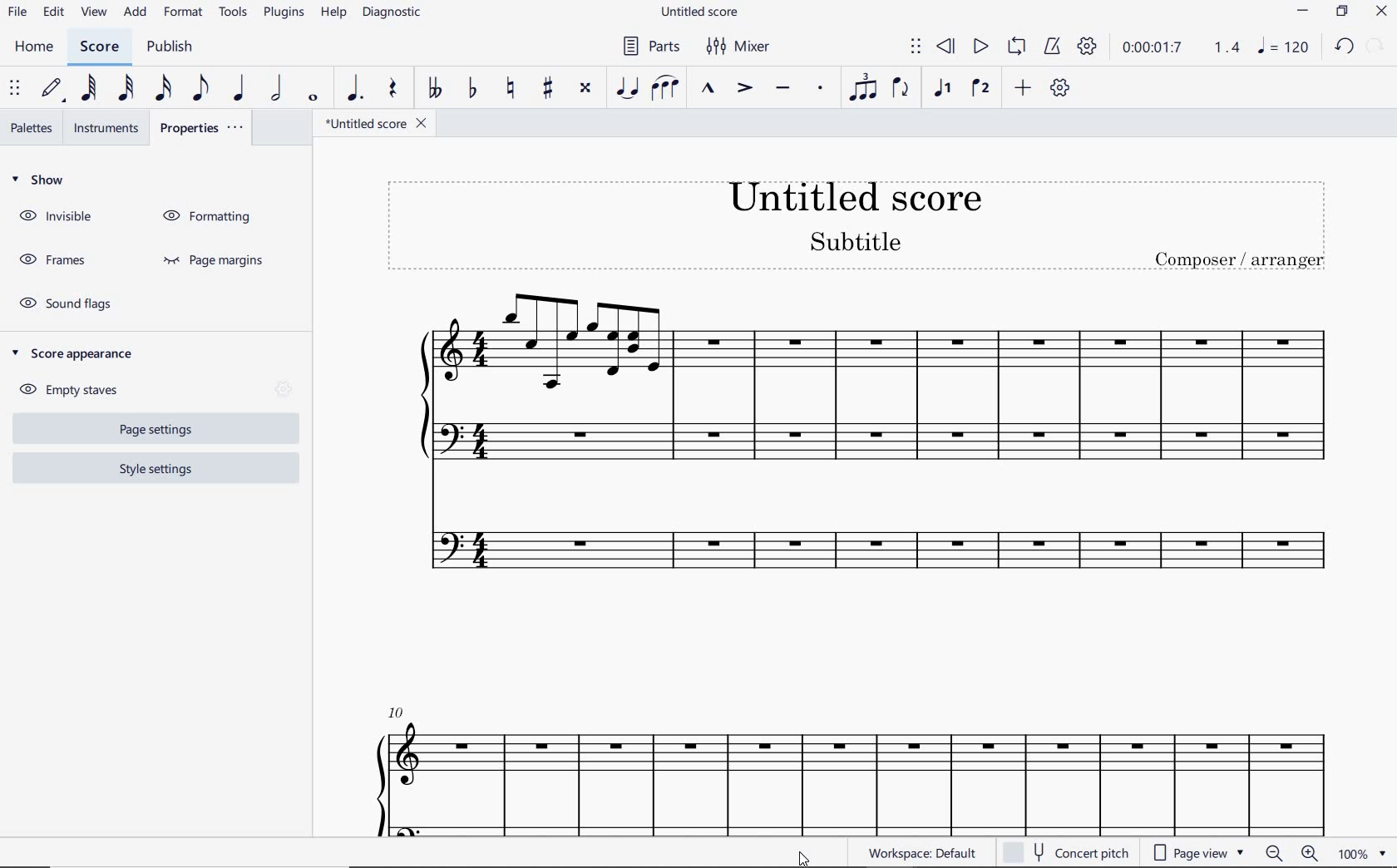  I want to click on VIEW, so click(96, 12).